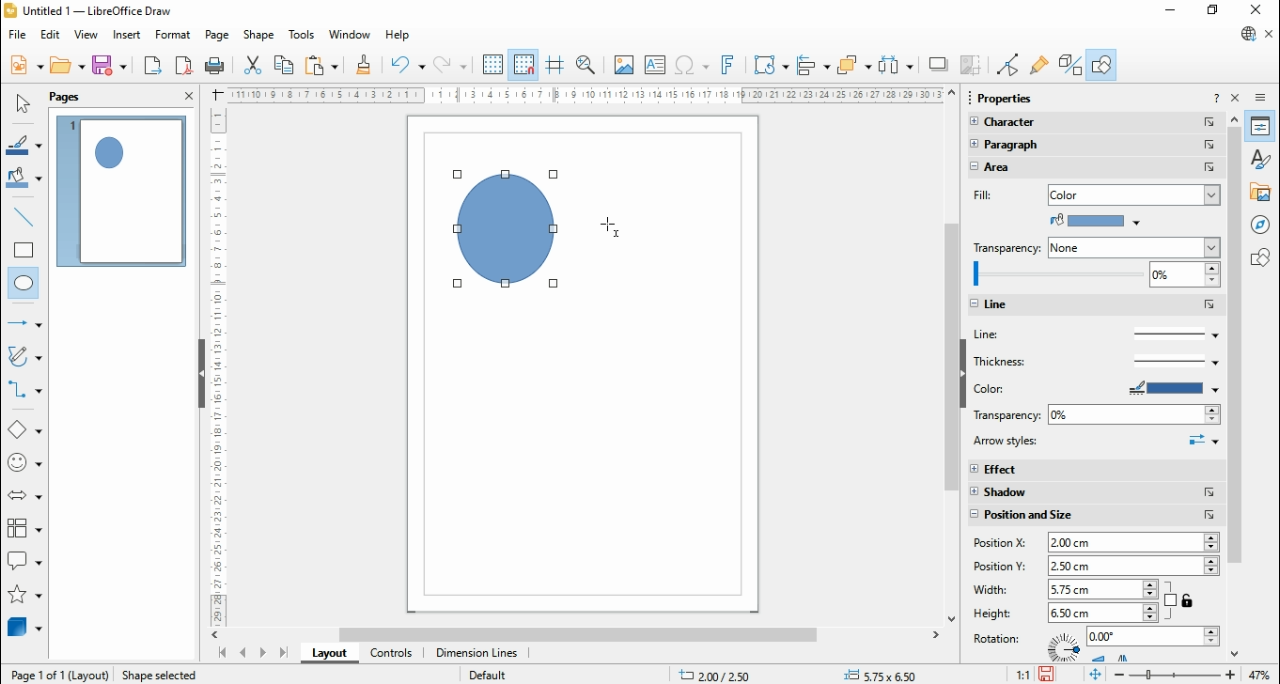 This screenshot has height=684, width=1280. I want to click on transperency, so click(1004, 416).